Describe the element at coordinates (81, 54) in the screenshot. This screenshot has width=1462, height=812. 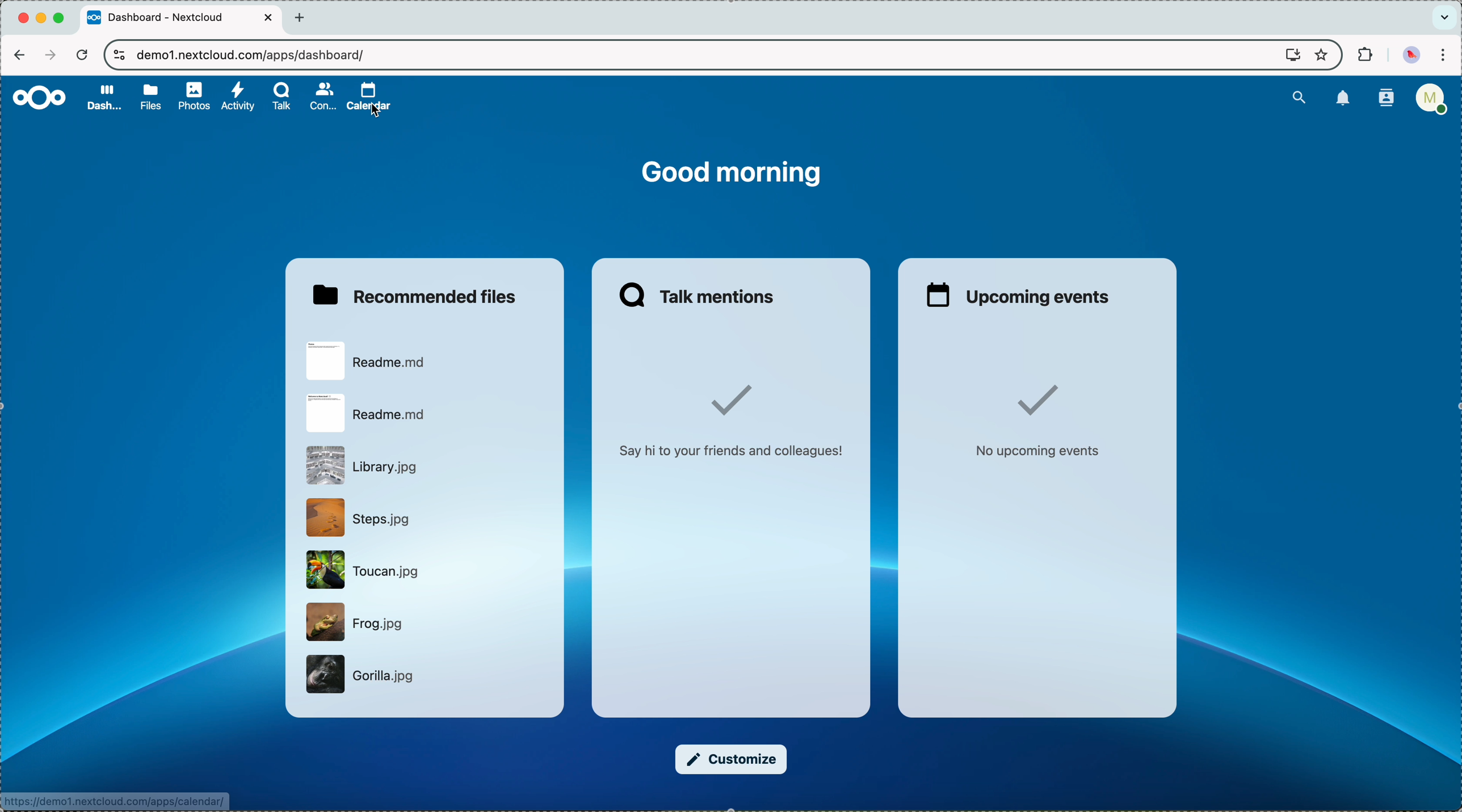
I see `refresh the page` at that location.